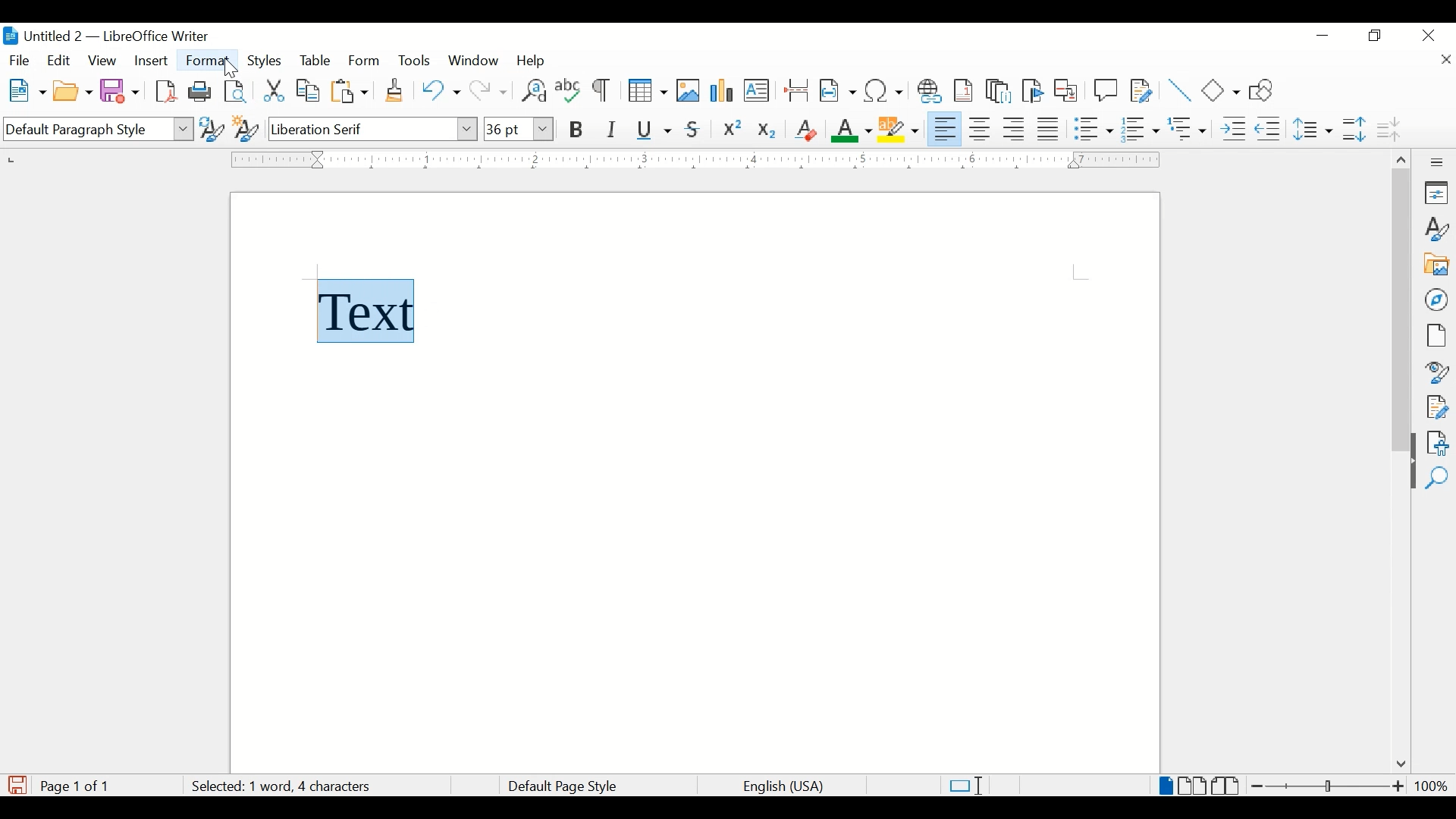  Describe the element at coordinates (654, 130) in the screenshot. I see `underline` at that location.